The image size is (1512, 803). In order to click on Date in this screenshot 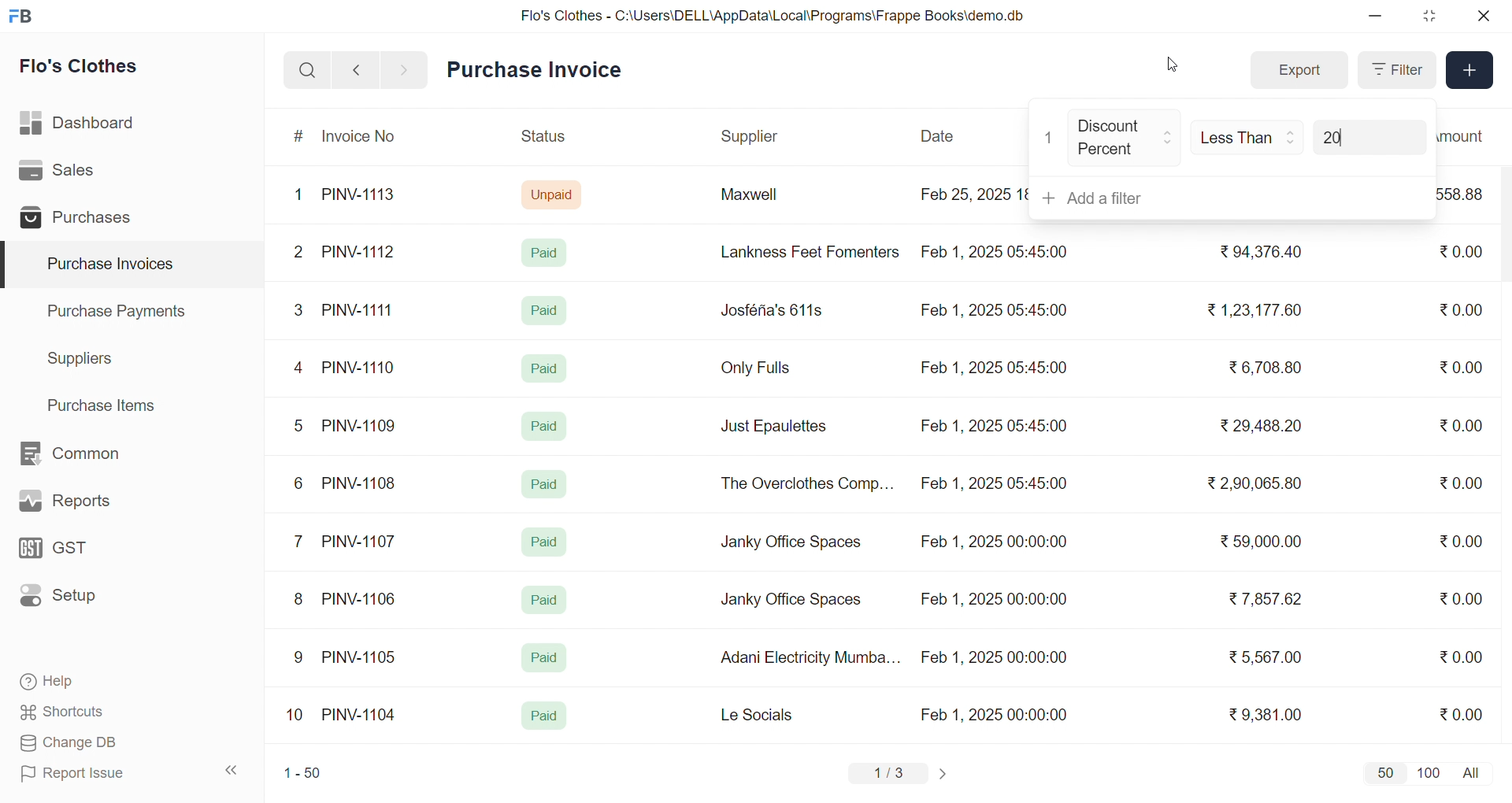, I will do `click(939, 136)`.